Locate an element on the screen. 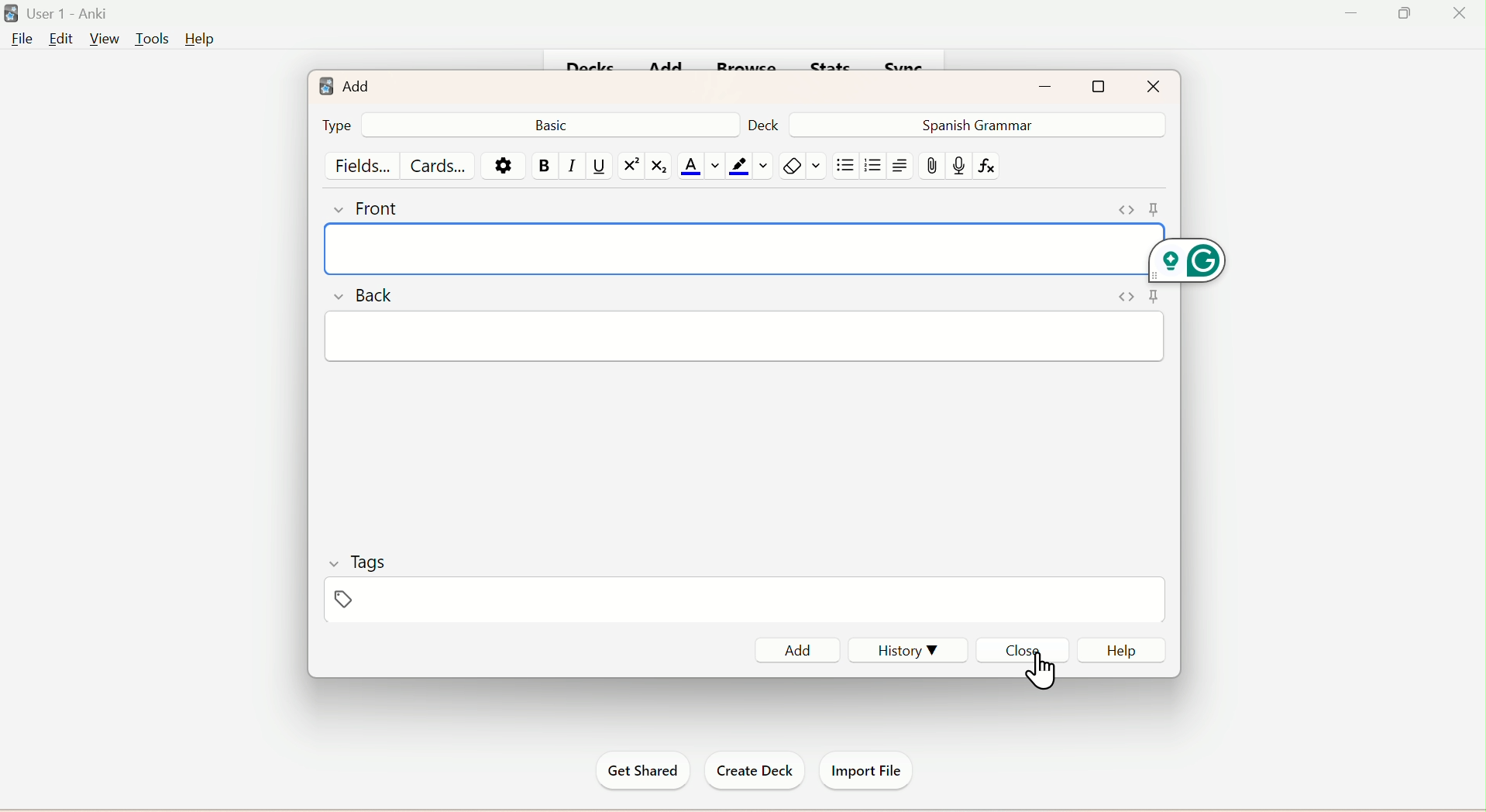  Pin is located at coordinates (1132, 299).